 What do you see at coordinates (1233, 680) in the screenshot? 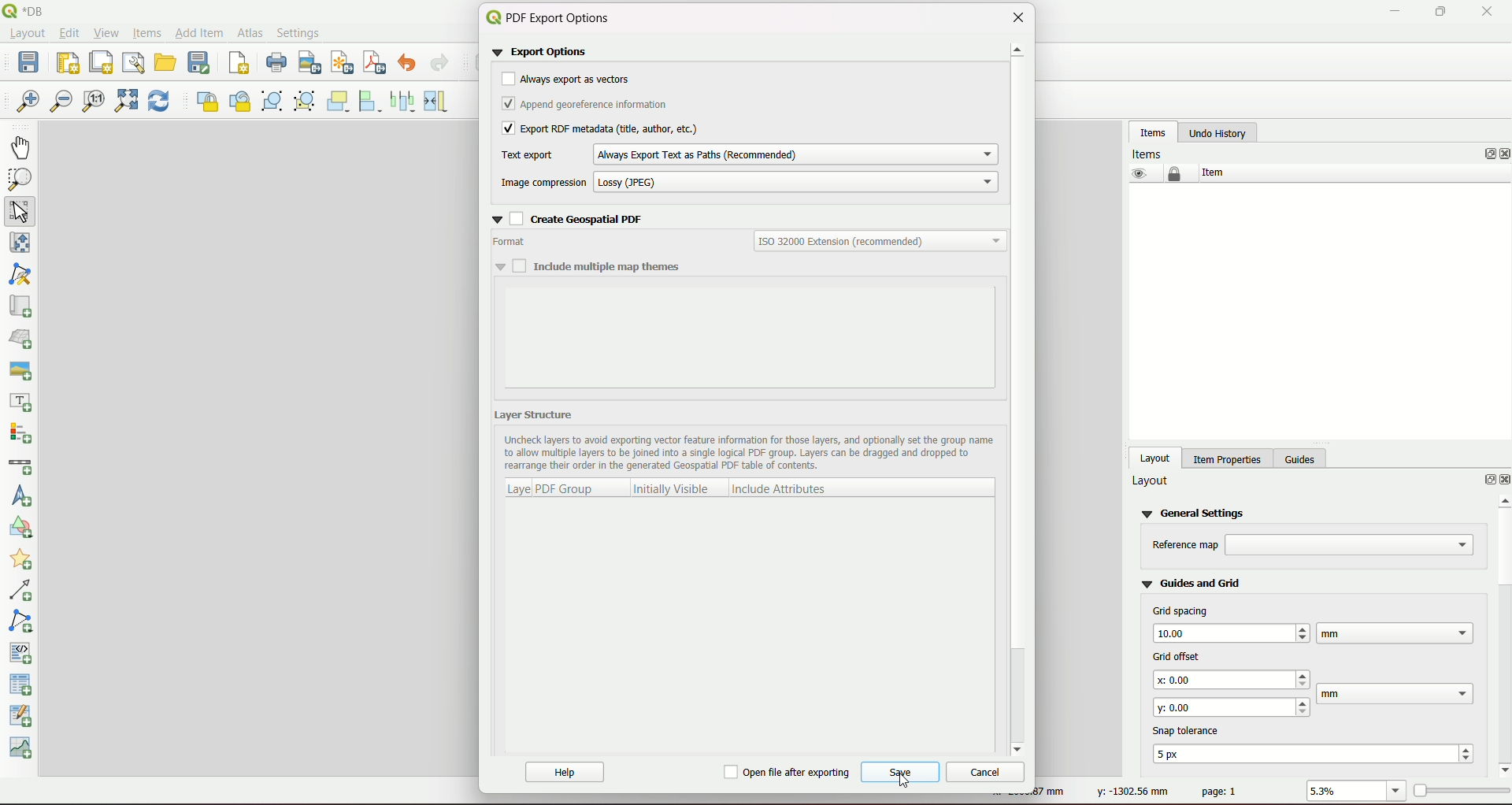
I see `text box` at bounding box center [1233, 680].